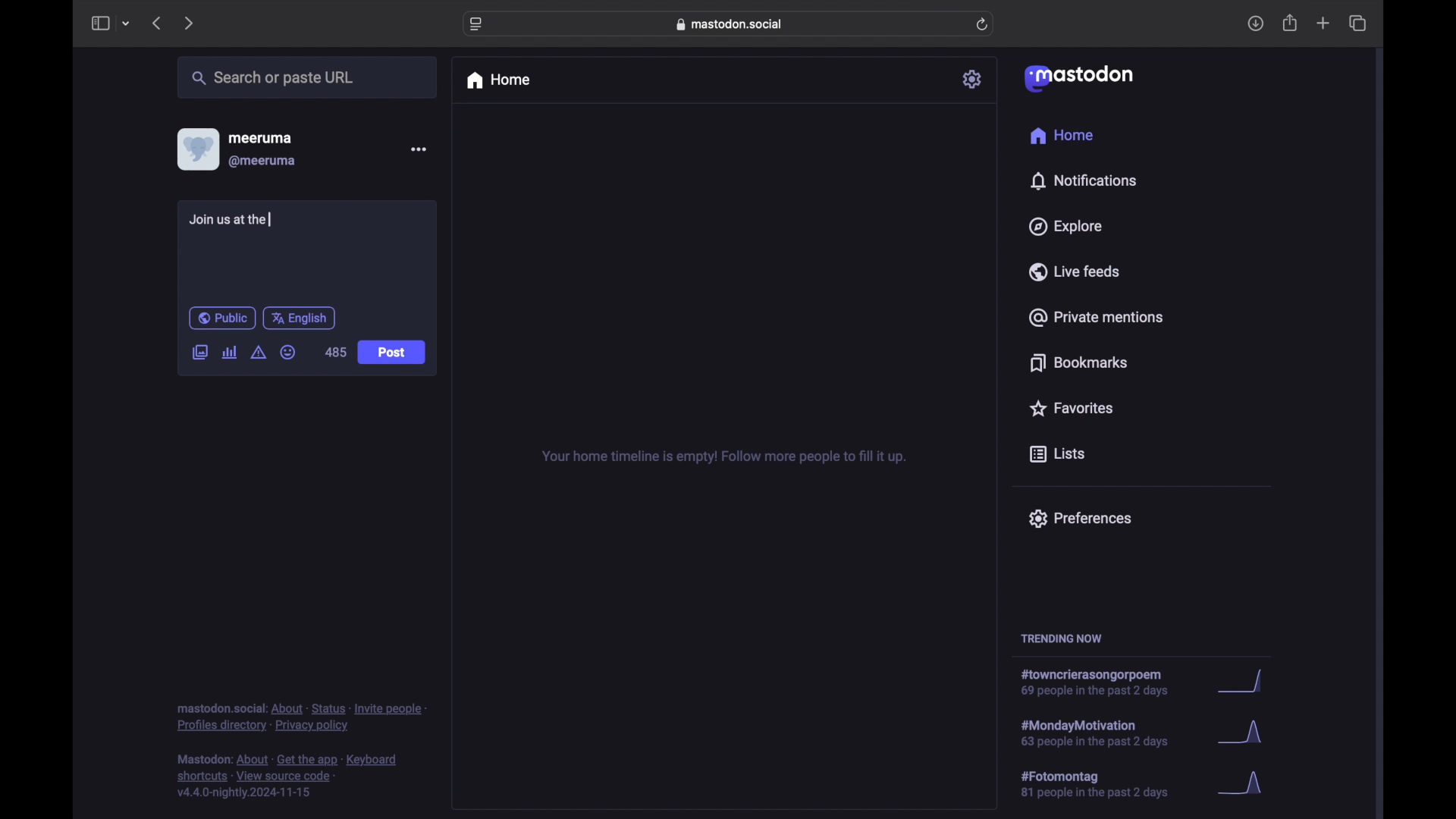 The width and height of the screenshot is (1456, 819). Describe the element at coordinates (126, 24) in the screenshot. I see `tab group picker` at that location.